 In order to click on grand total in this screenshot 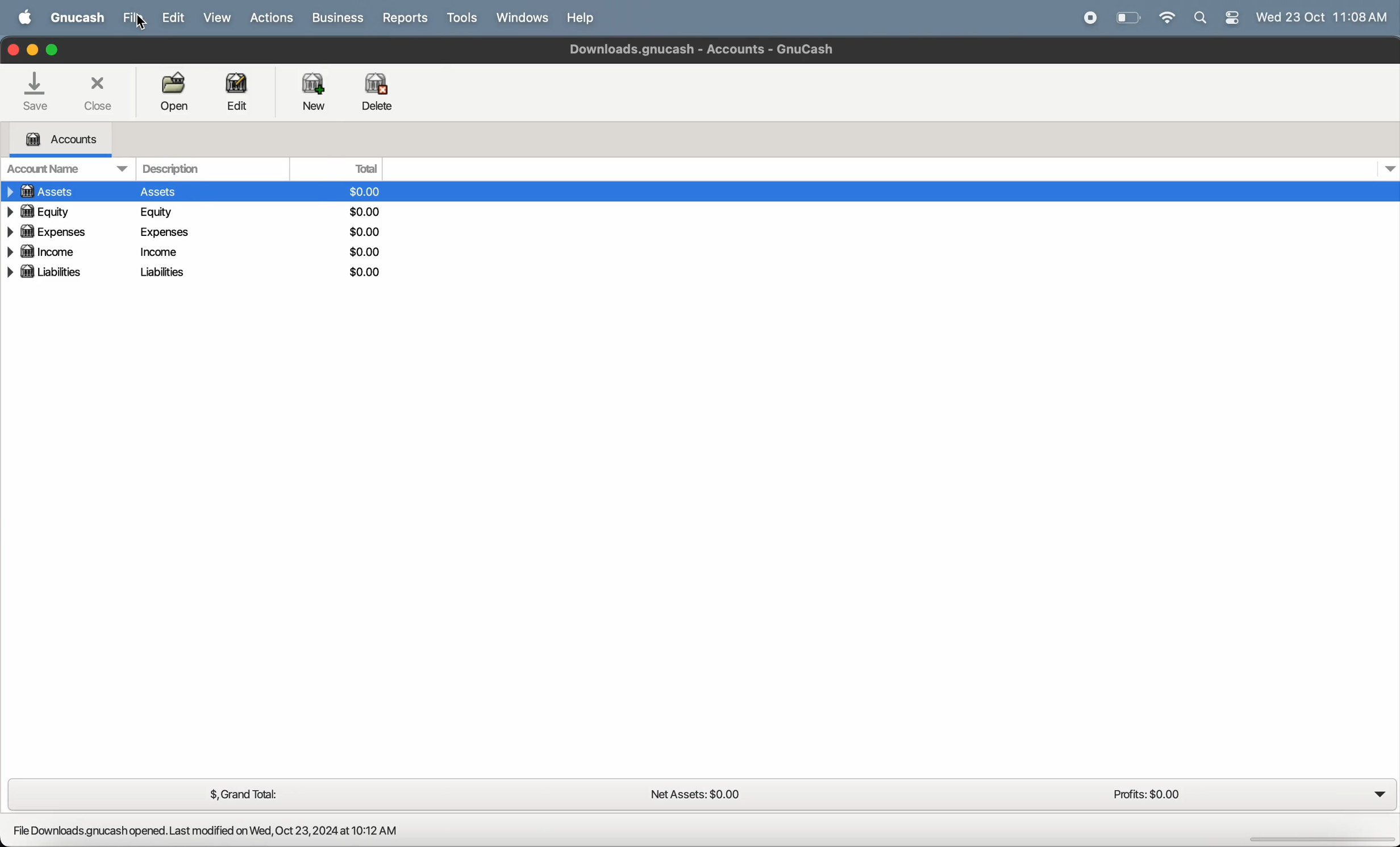, I will do `click(254, 795)`.